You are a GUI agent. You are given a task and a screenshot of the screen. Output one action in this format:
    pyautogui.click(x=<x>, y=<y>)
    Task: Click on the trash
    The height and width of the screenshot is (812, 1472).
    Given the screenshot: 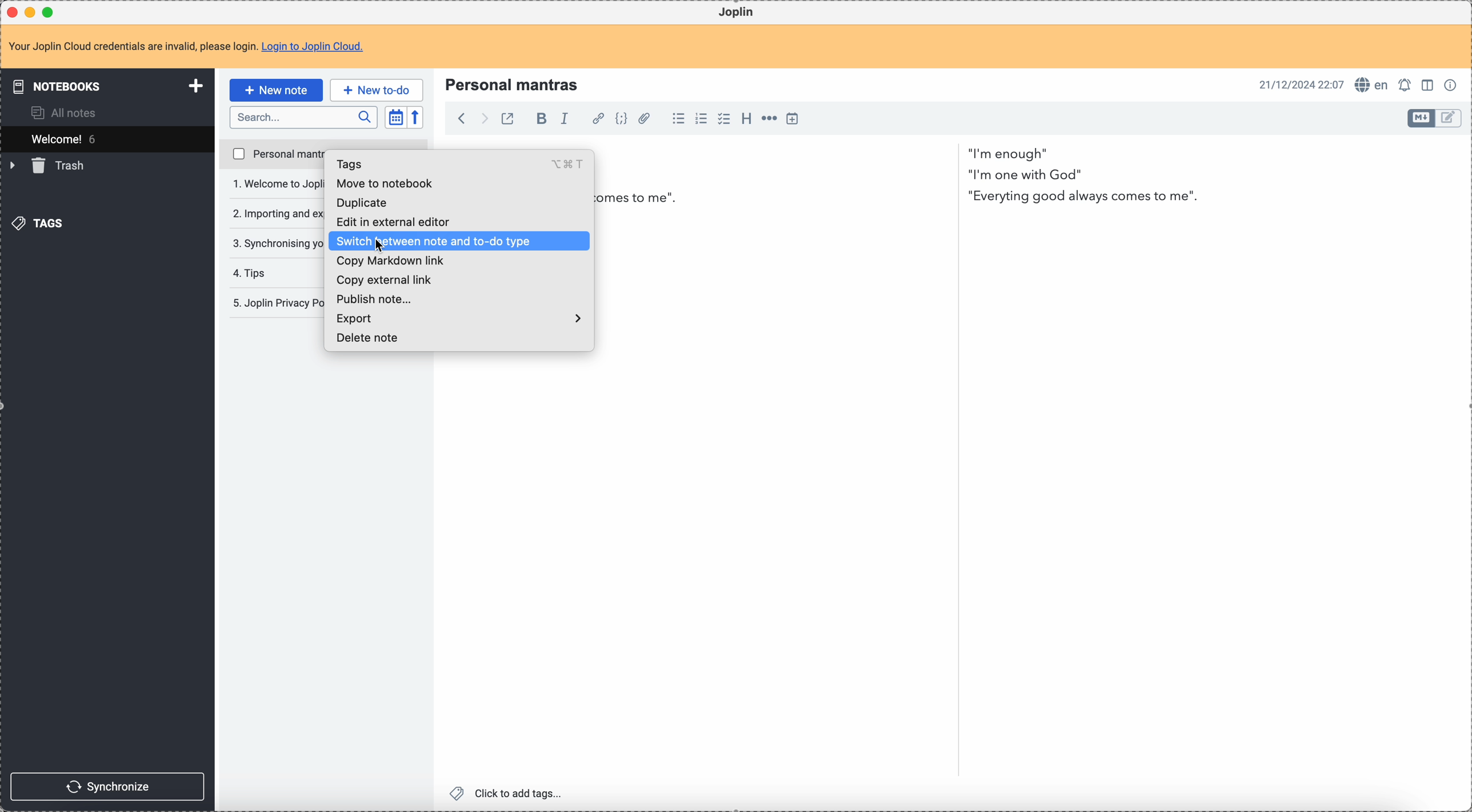 What is the action you would take?
    pyautogui.click(x=53, y=165)
    